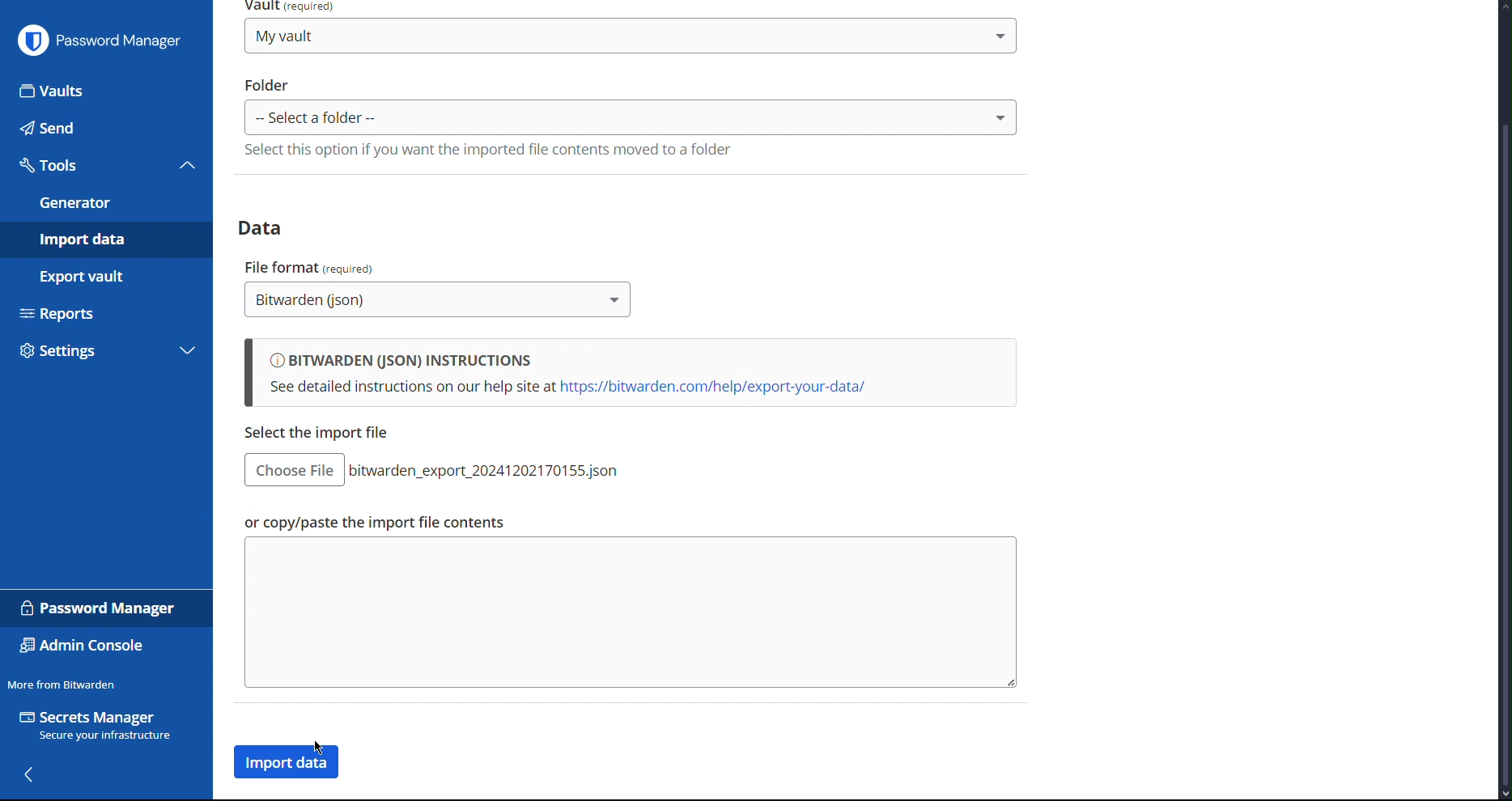 The width and height of the screenshot is (1512, 801). Describe the element at coordinates (486, 150) in the screenshot. I see `select this option if you wanr rge impported file contents moved to a folder` at that location.